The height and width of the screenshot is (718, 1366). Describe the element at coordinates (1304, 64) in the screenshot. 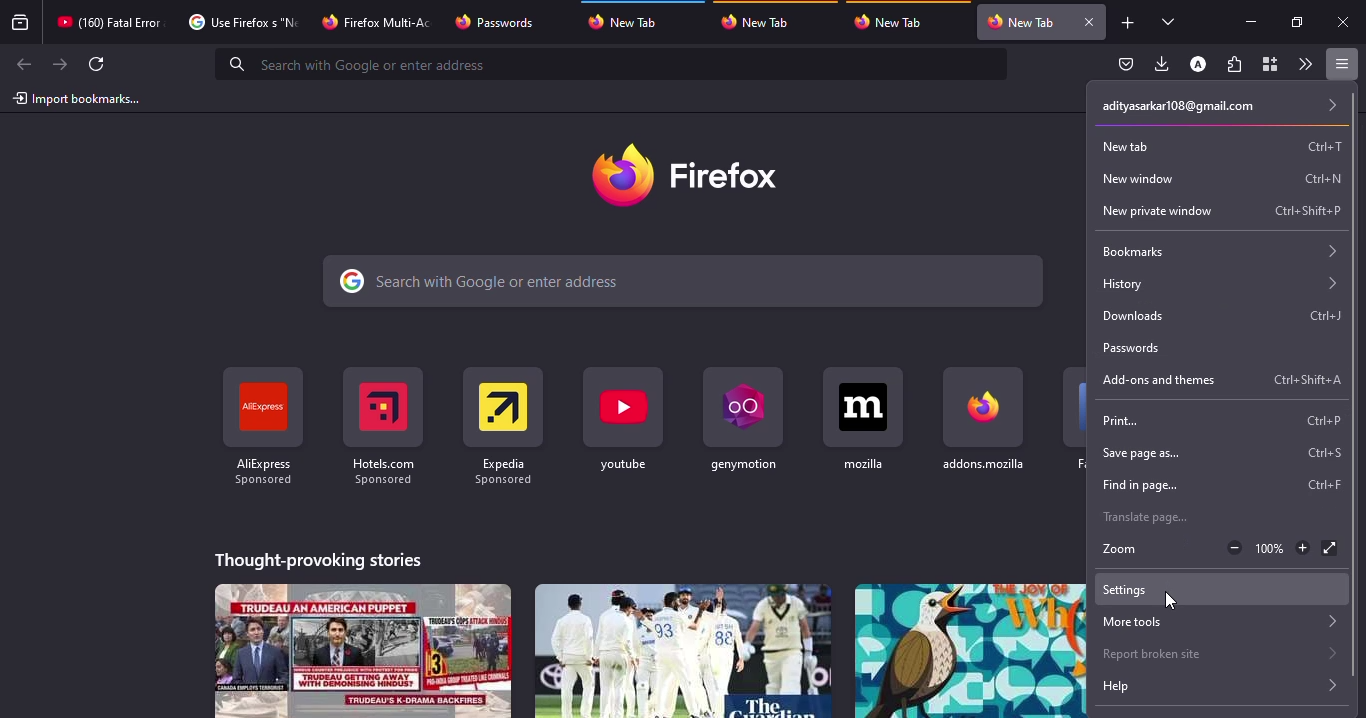

I see `more tools` at that location.